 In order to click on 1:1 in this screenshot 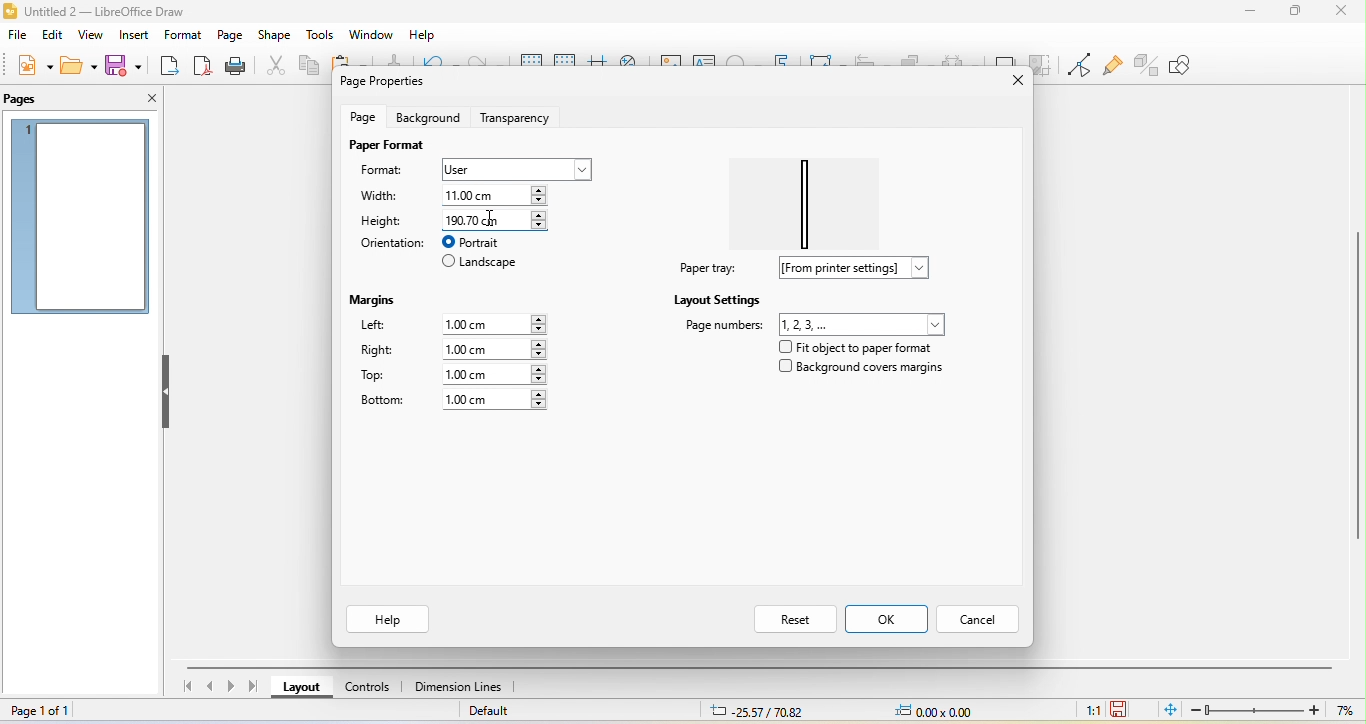, I will do `click(1089, 709)`.